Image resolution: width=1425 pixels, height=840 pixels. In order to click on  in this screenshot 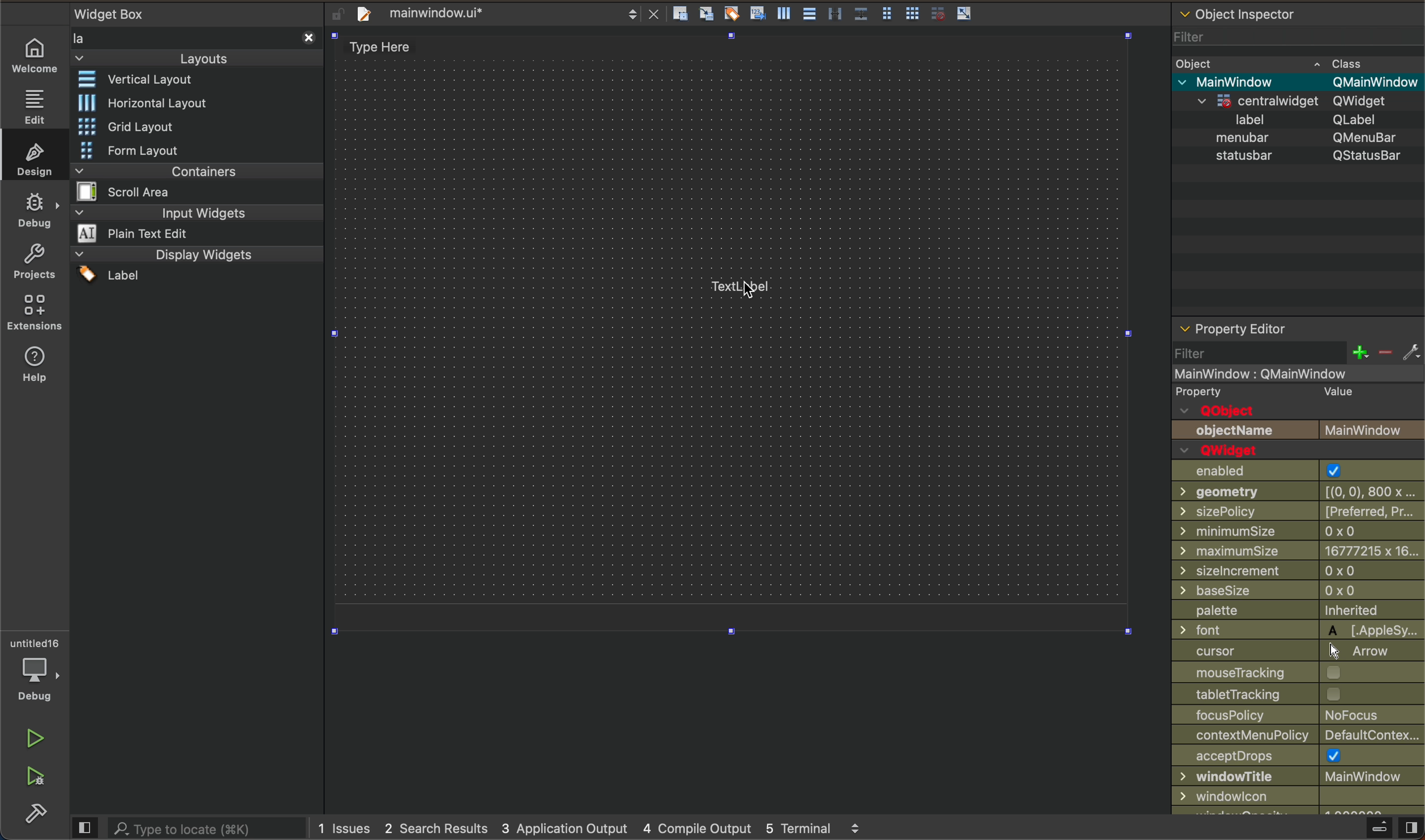, I will do `click(1298, 591)`.